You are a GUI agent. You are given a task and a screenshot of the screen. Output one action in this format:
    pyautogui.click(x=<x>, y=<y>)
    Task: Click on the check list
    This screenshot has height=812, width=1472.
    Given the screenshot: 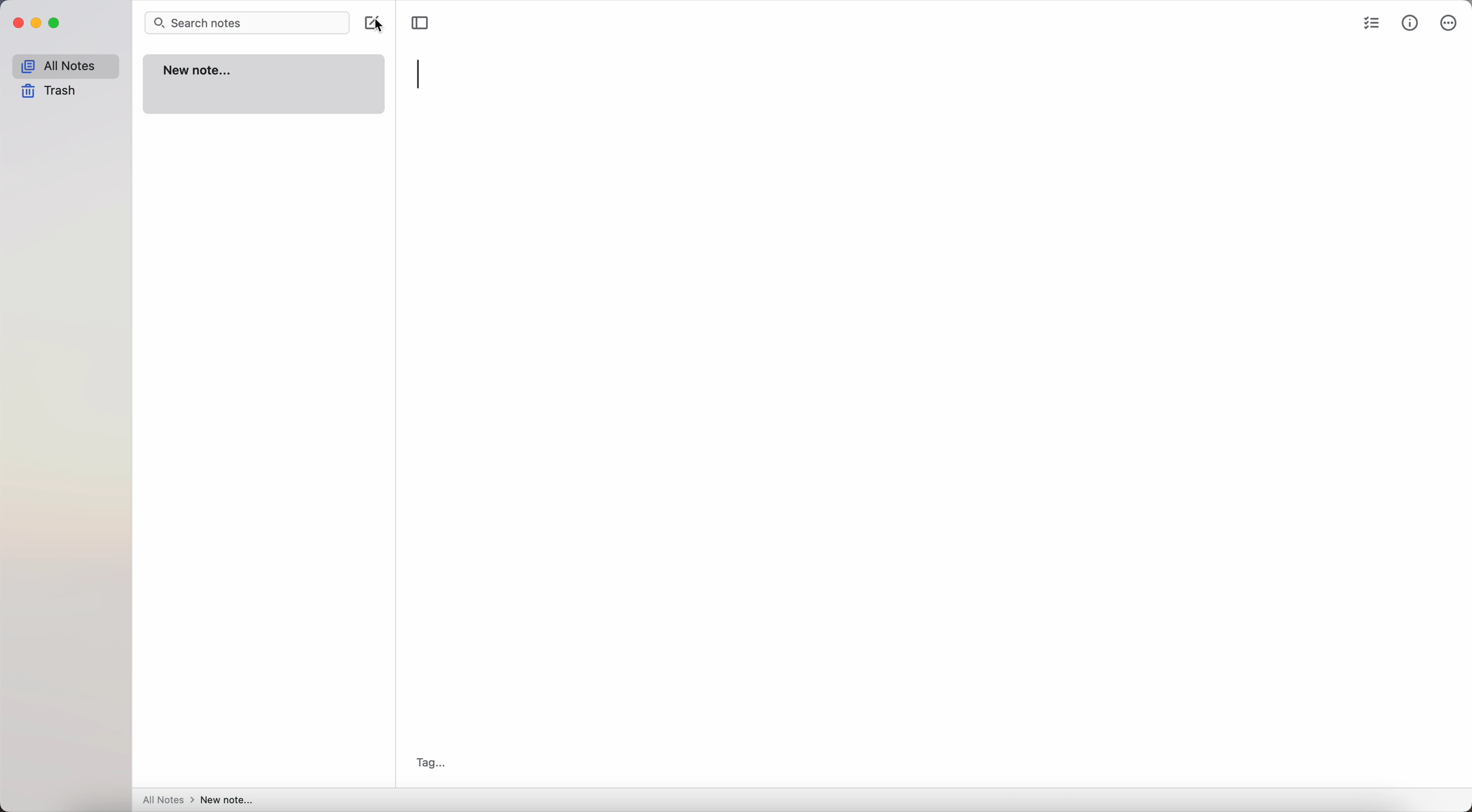 What is the action you would take?
    pyautogui.click(x=1369, y=22)
    